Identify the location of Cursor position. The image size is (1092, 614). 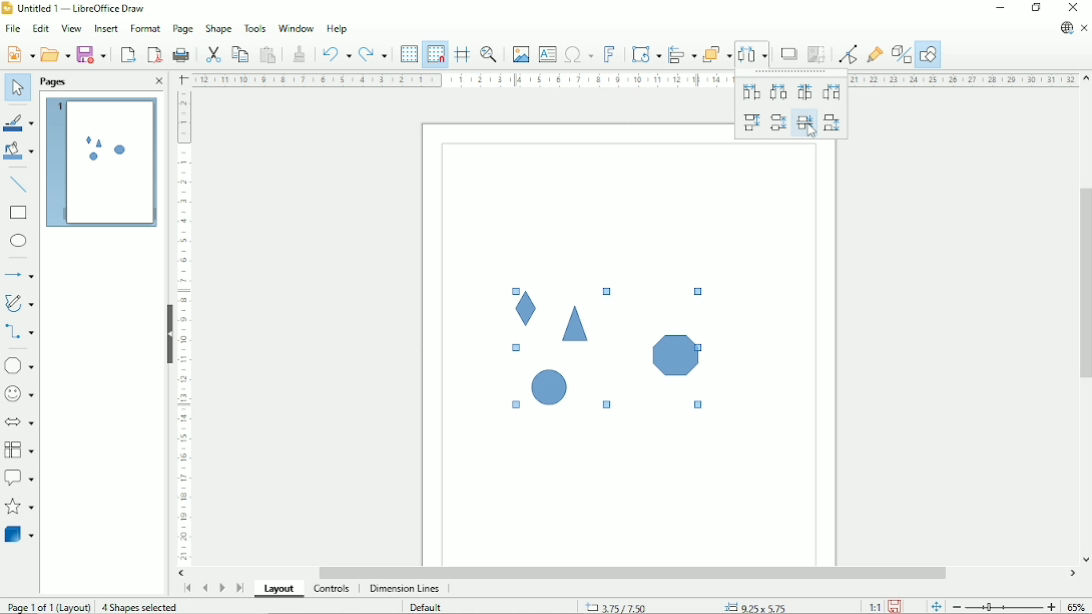
(687, 606).